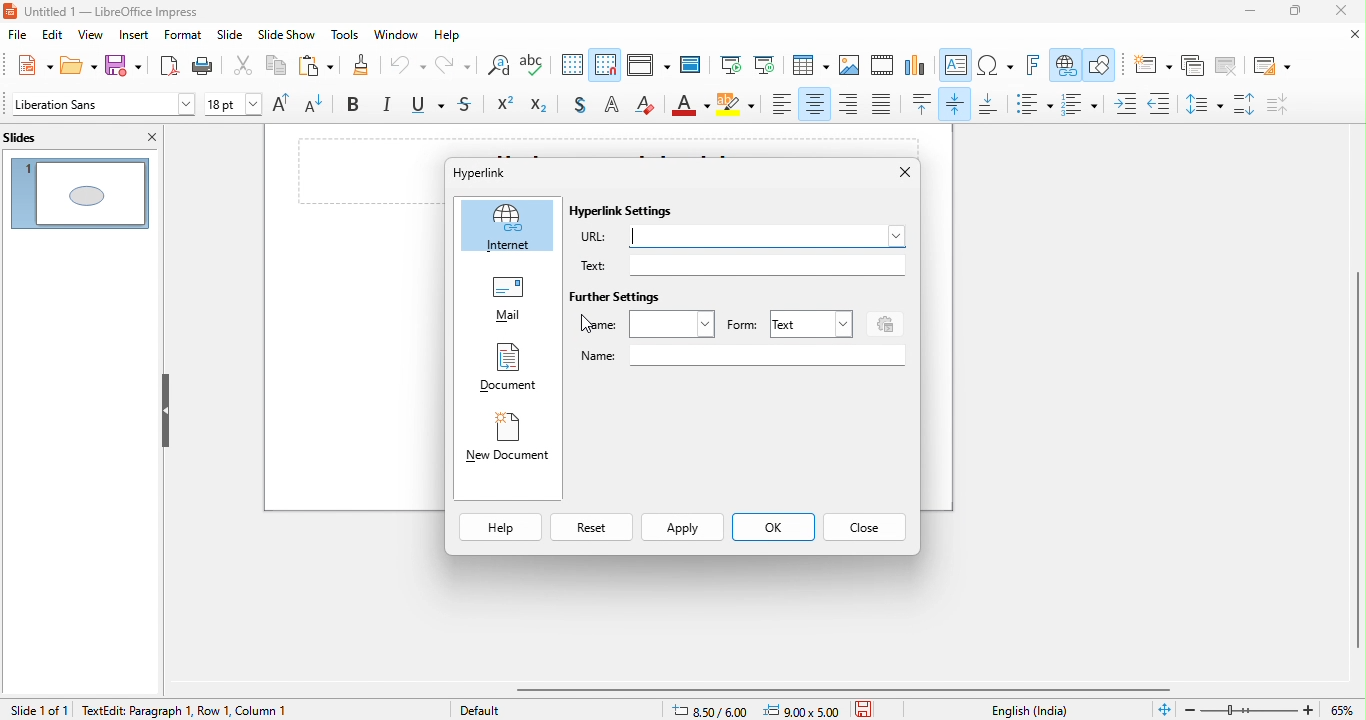  What do you see at coordinates (90, 36) in the screenshot?
I see `view` at bounding box center [90, 36].